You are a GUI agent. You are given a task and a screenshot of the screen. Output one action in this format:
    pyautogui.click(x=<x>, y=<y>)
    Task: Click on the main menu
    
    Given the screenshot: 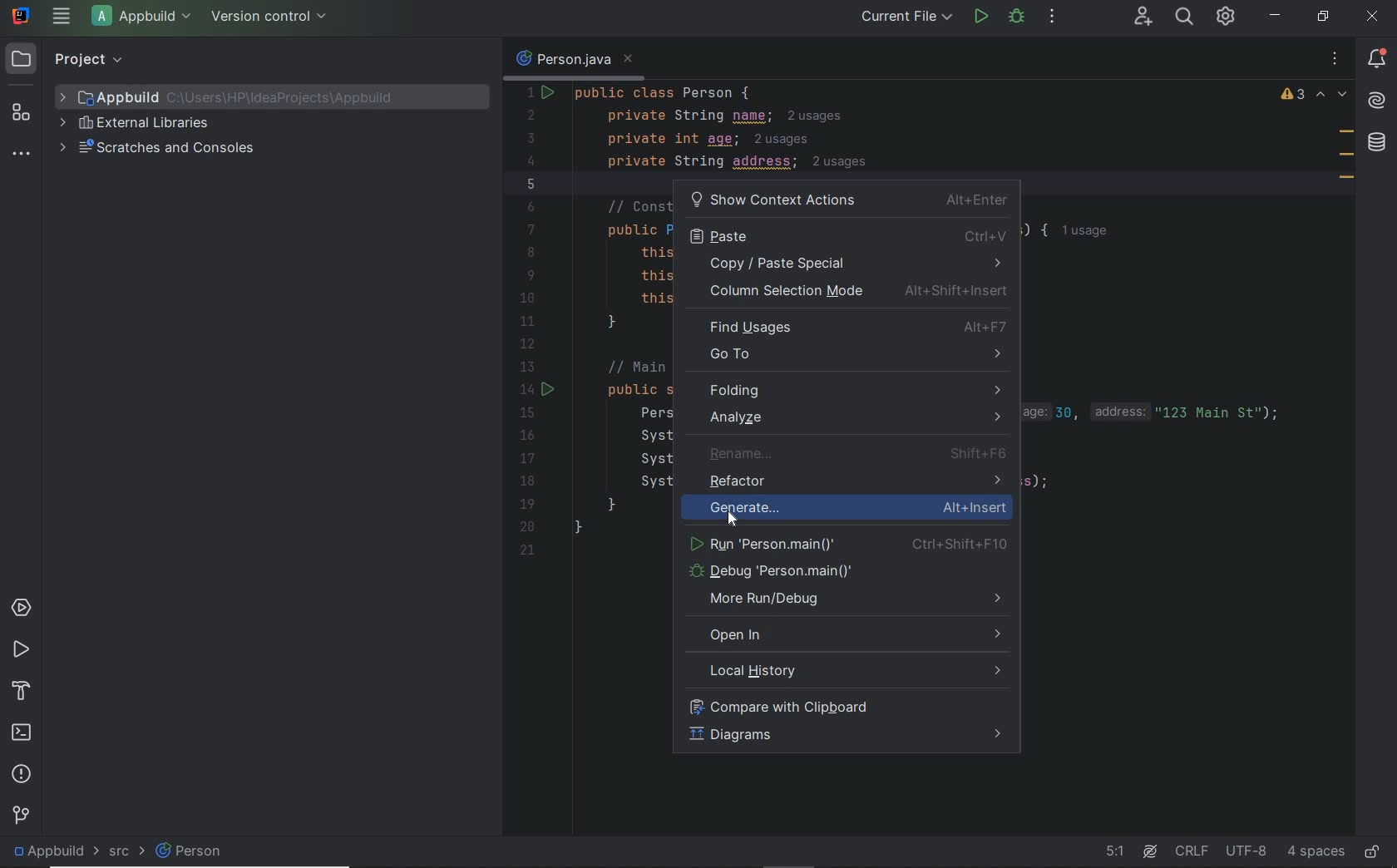 What is the action you would take?
    pyautogui.click(x=60, y=17)
    